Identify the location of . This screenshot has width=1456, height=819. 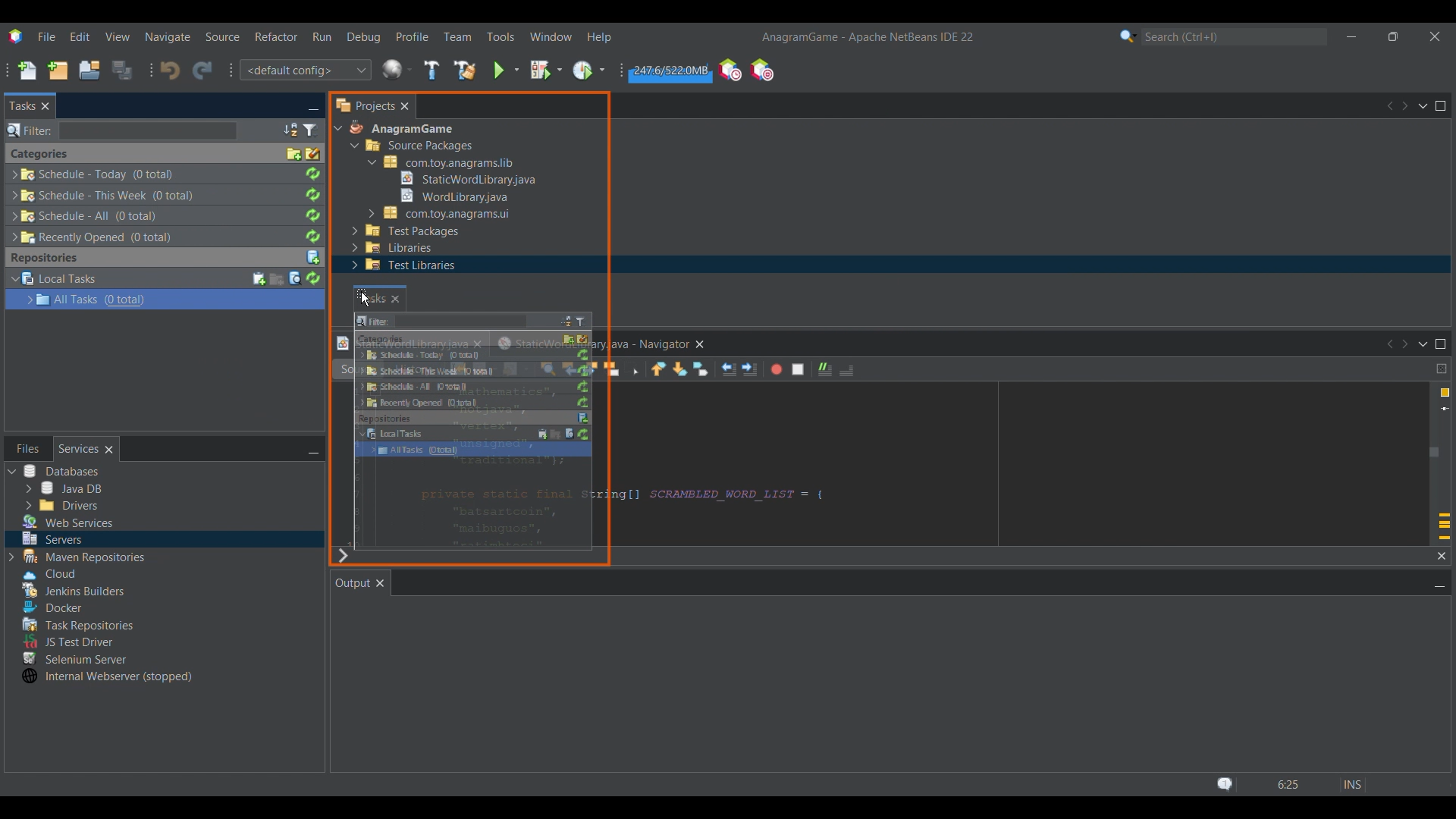
(89, 216).